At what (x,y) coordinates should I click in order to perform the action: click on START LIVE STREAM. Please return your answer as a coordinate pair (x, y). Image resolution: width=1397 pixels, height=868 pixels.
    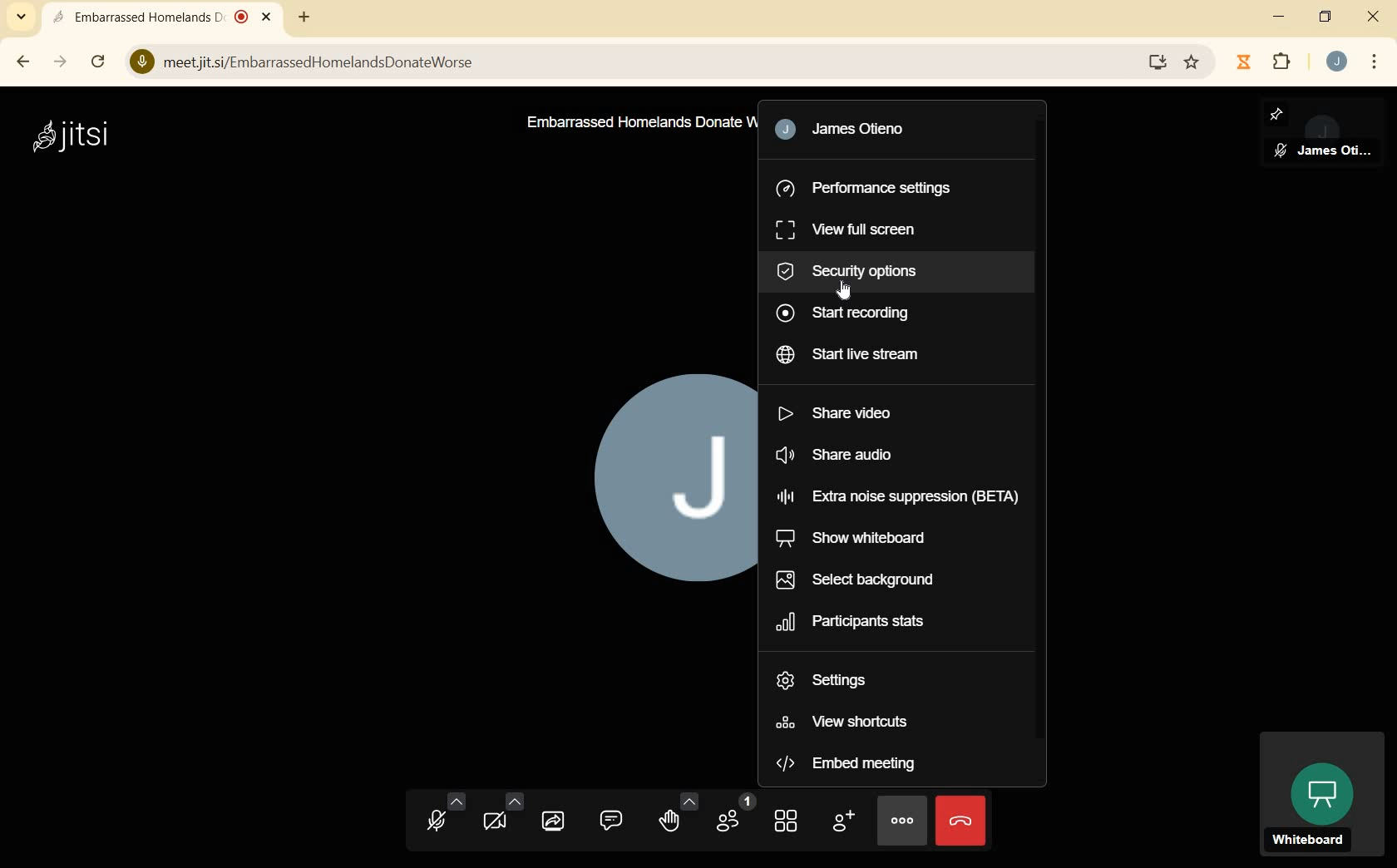
    Looking at the image, I should click on (857, 355).